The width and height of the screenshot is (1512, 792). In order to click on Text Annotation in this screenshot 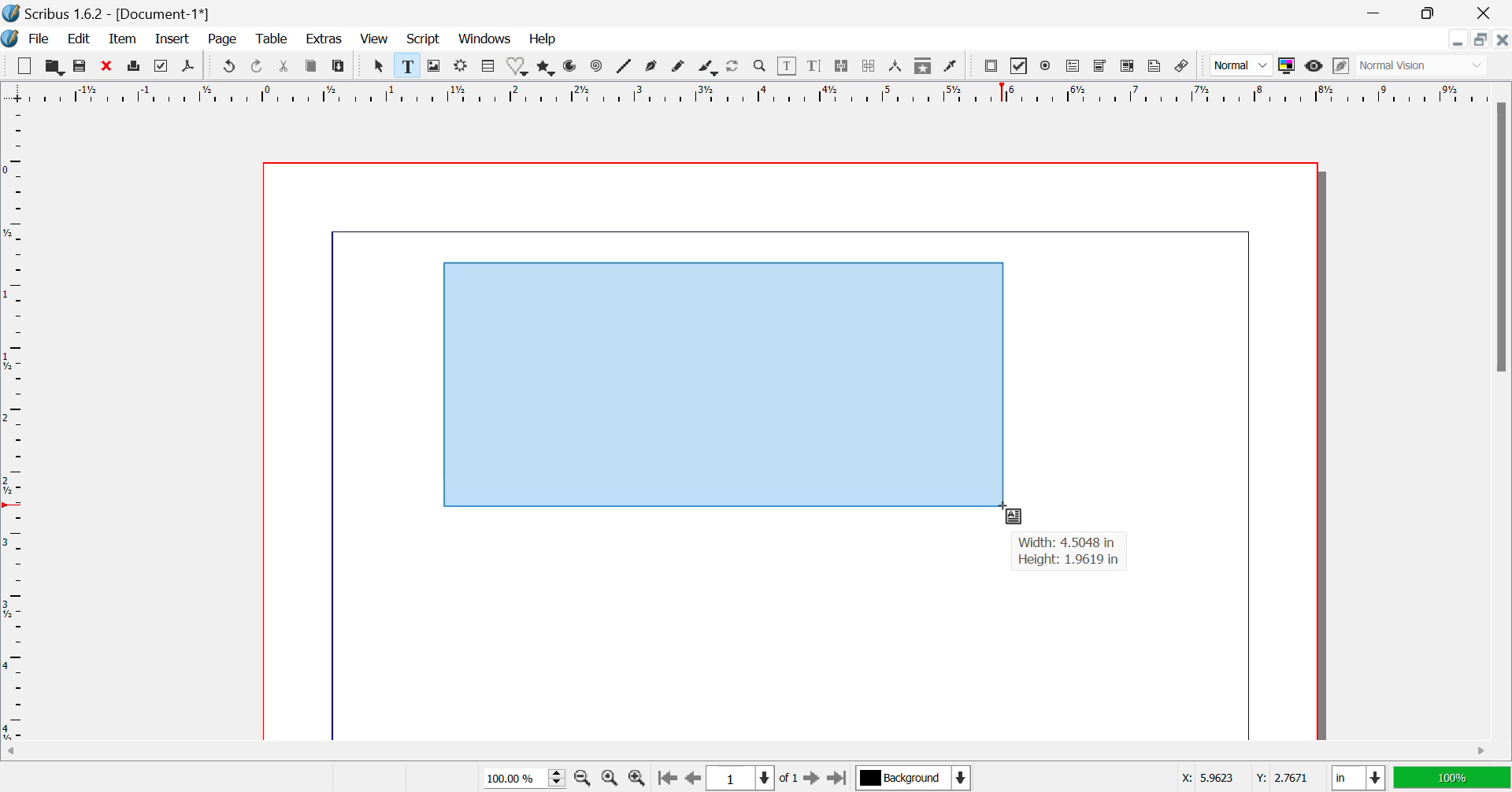, I will do `click(1156, 67)`.